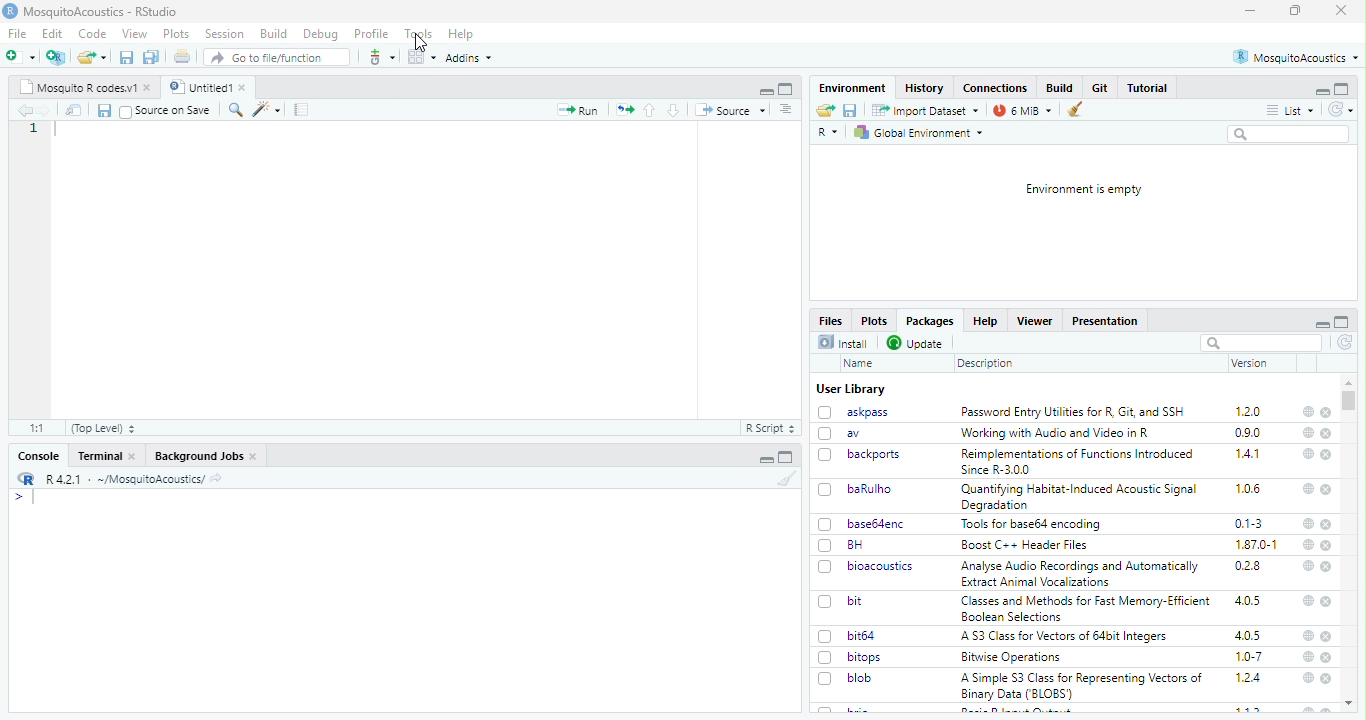 Image resolution: width=1366 pixels, height=720 pixels. I want to click on backports, so click(874, 455).